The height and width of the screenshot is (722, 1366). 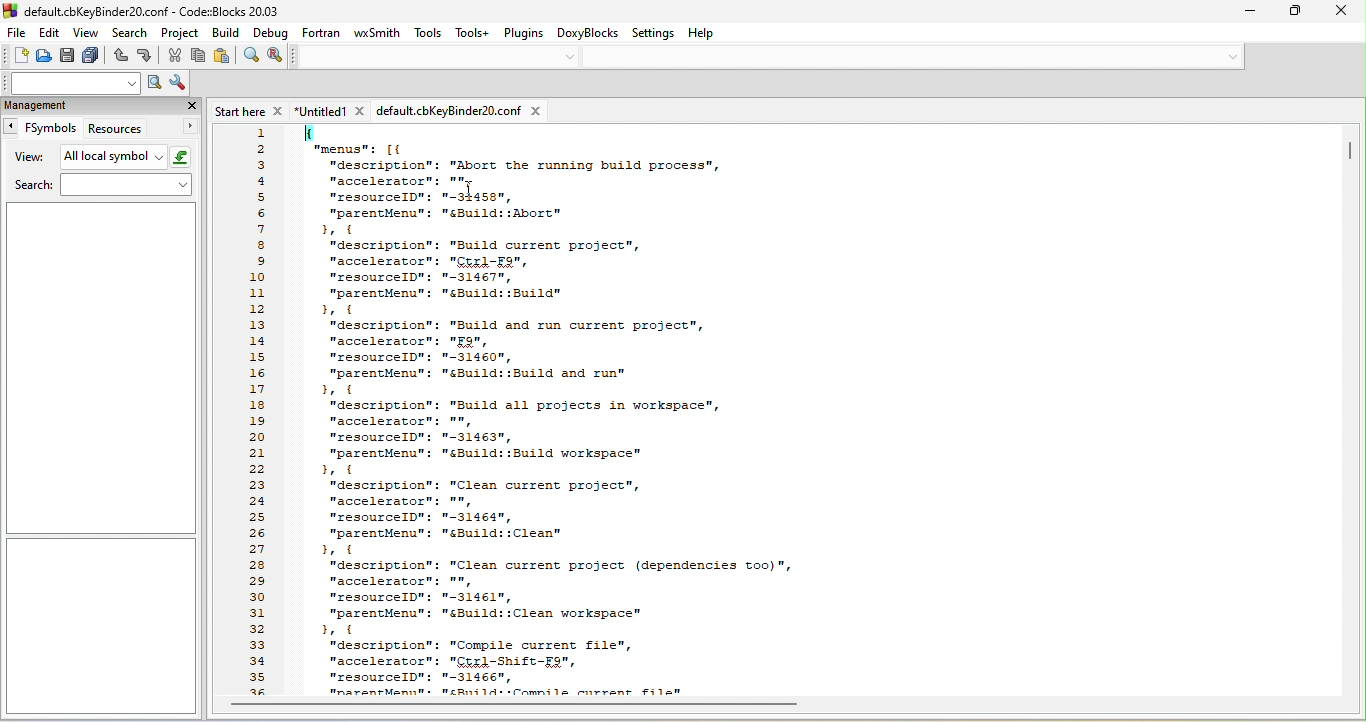 I want to click on wxsmith, so click(x=377, y=36).